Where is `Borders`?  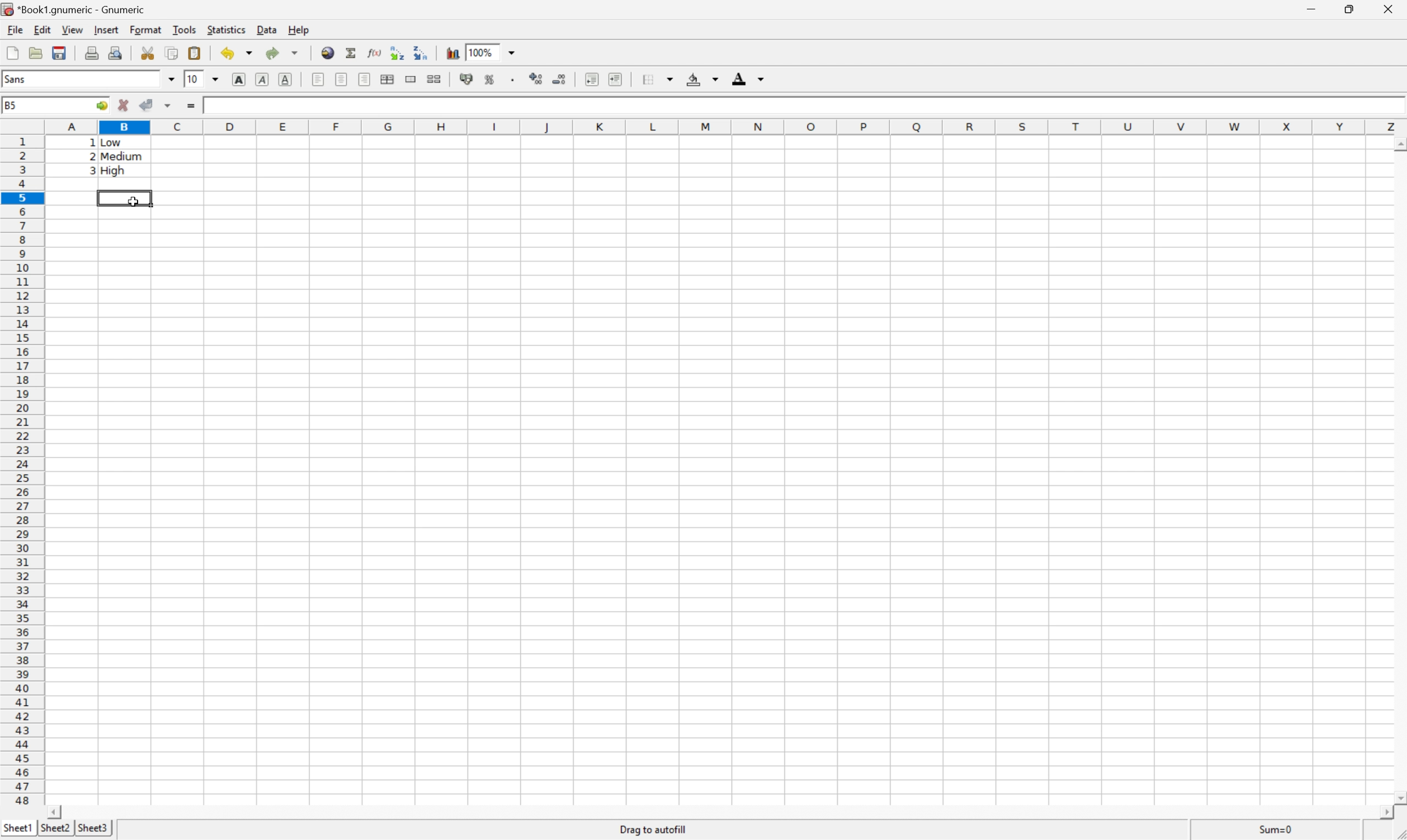 Borders is located at coordinates (656, 78).